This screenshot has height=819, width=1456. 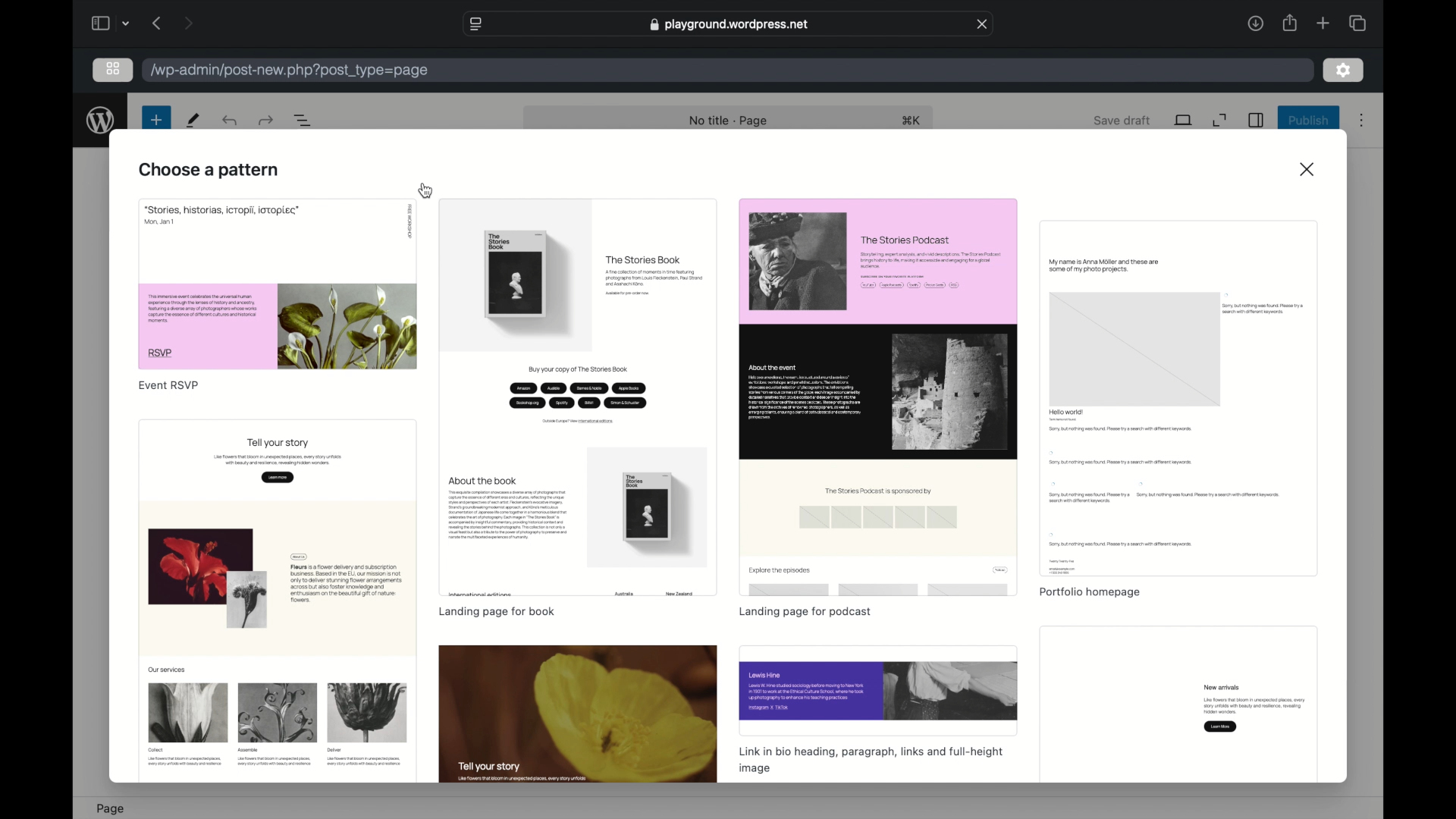 What do you see at coordinates (1357, 24) in the screenshot?
I see `show tab overview` at bounding box center [1357, 24].